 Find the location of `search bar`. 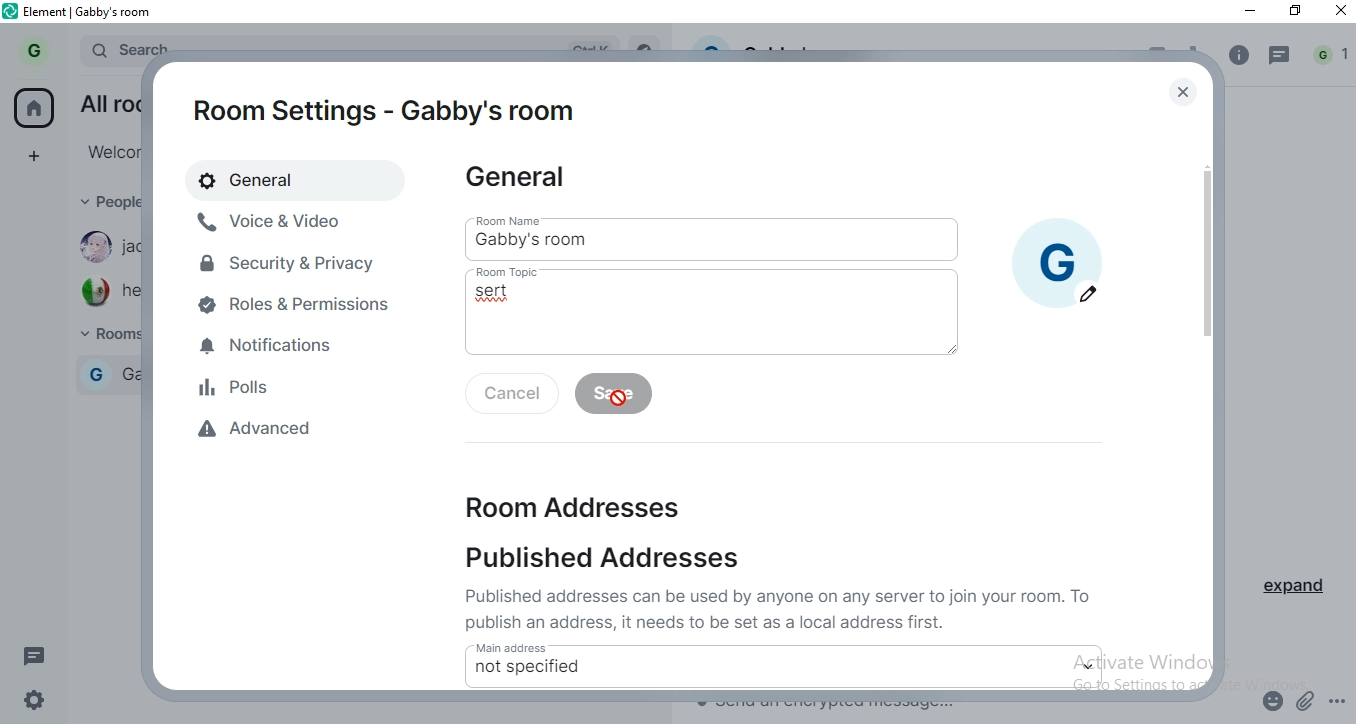

search bar is located at coordinates (125, 46).